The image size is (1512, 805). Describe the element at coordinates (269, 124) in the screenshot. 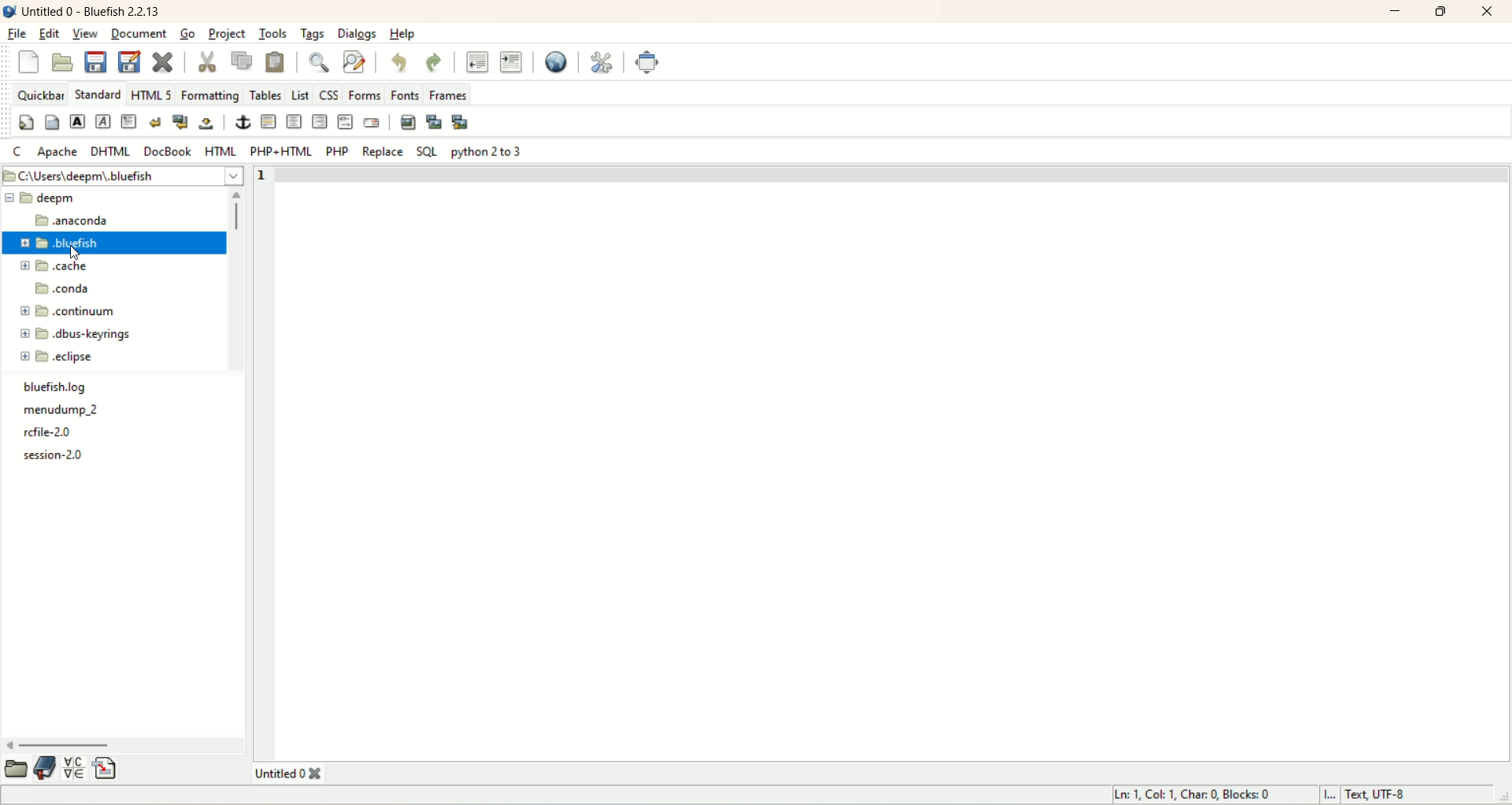

I see `horizontal rule` at that location.